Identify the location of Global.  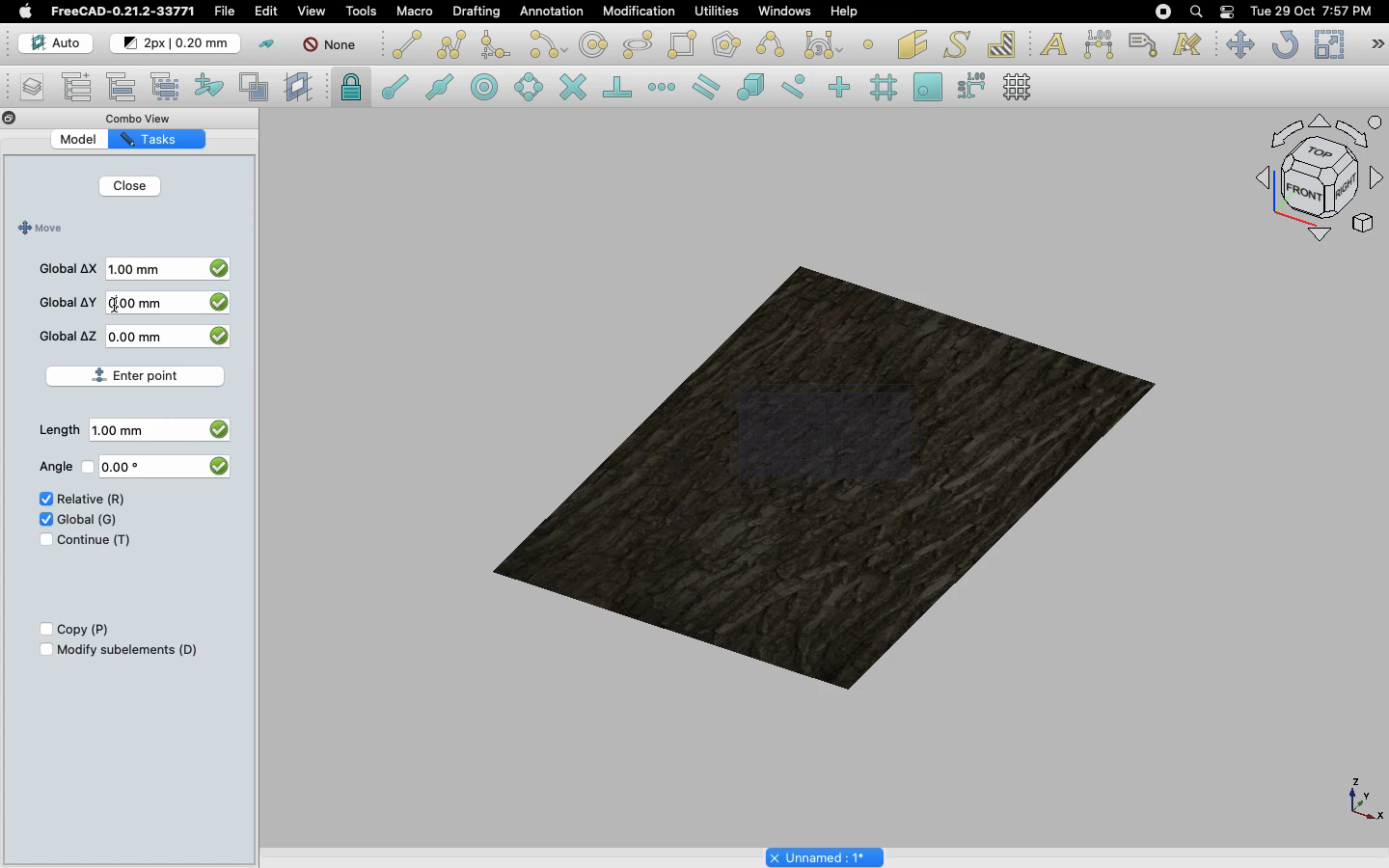
(89, 518).